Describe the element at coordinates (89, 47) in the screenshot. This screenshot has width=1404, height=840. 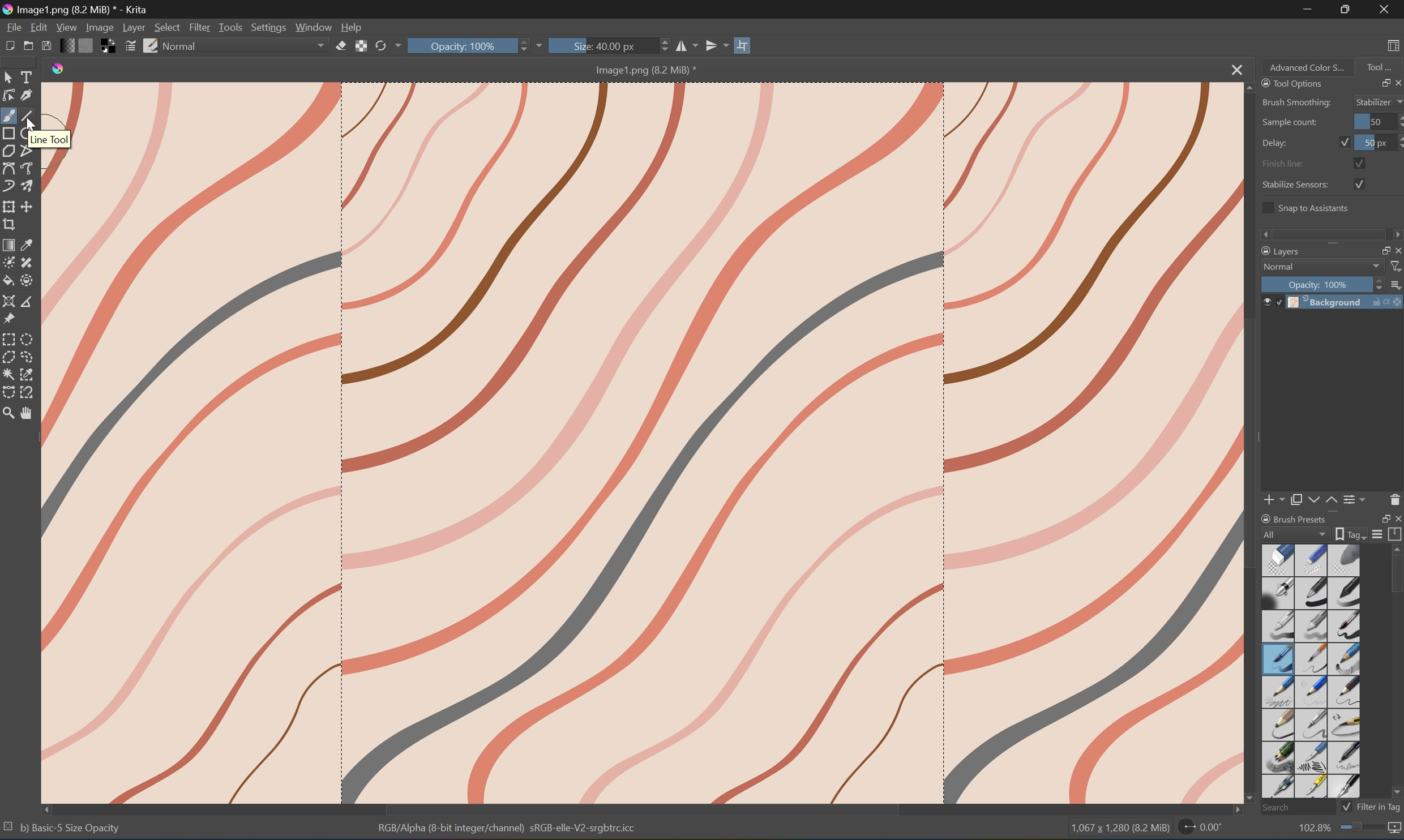
I see `Fill patterns` at that location.